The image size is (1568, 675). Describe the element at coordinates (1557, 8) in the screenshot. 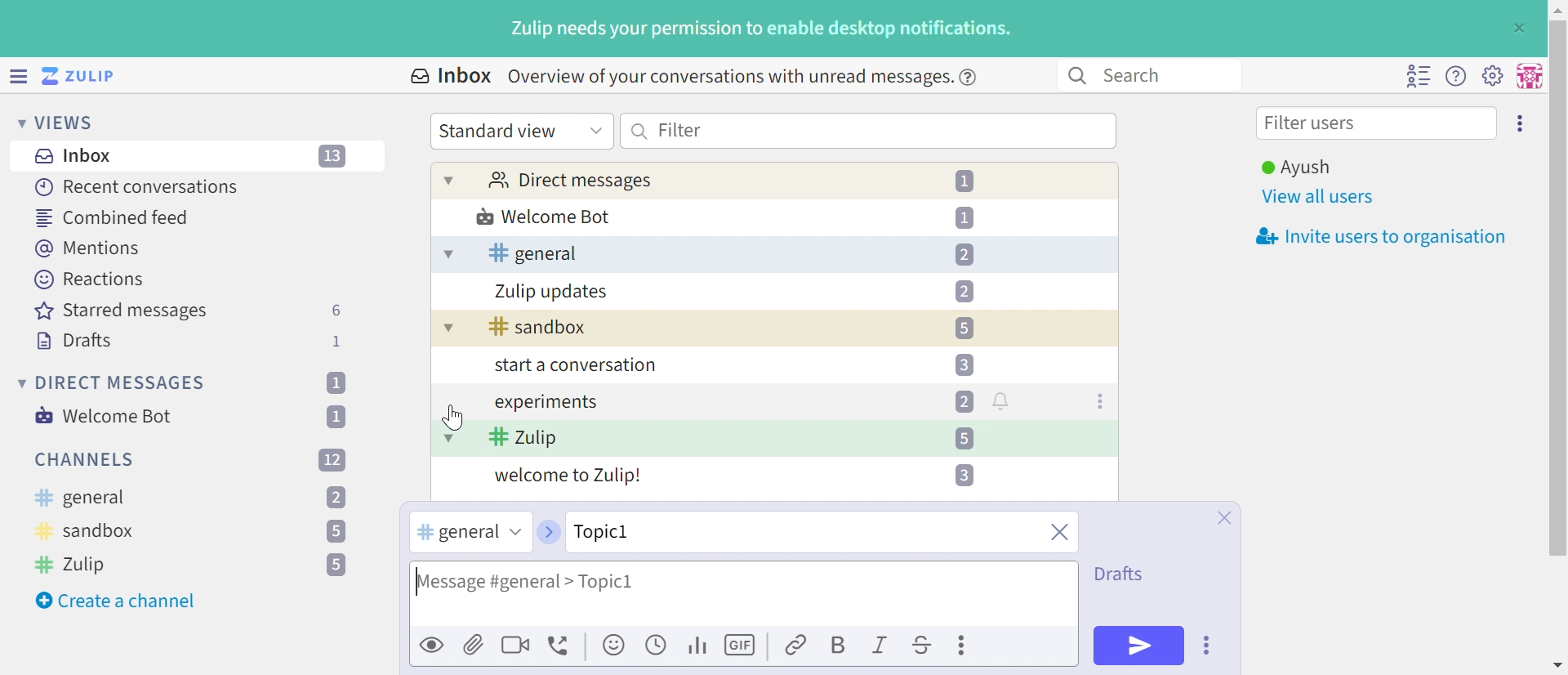

I see `move up` at that location.